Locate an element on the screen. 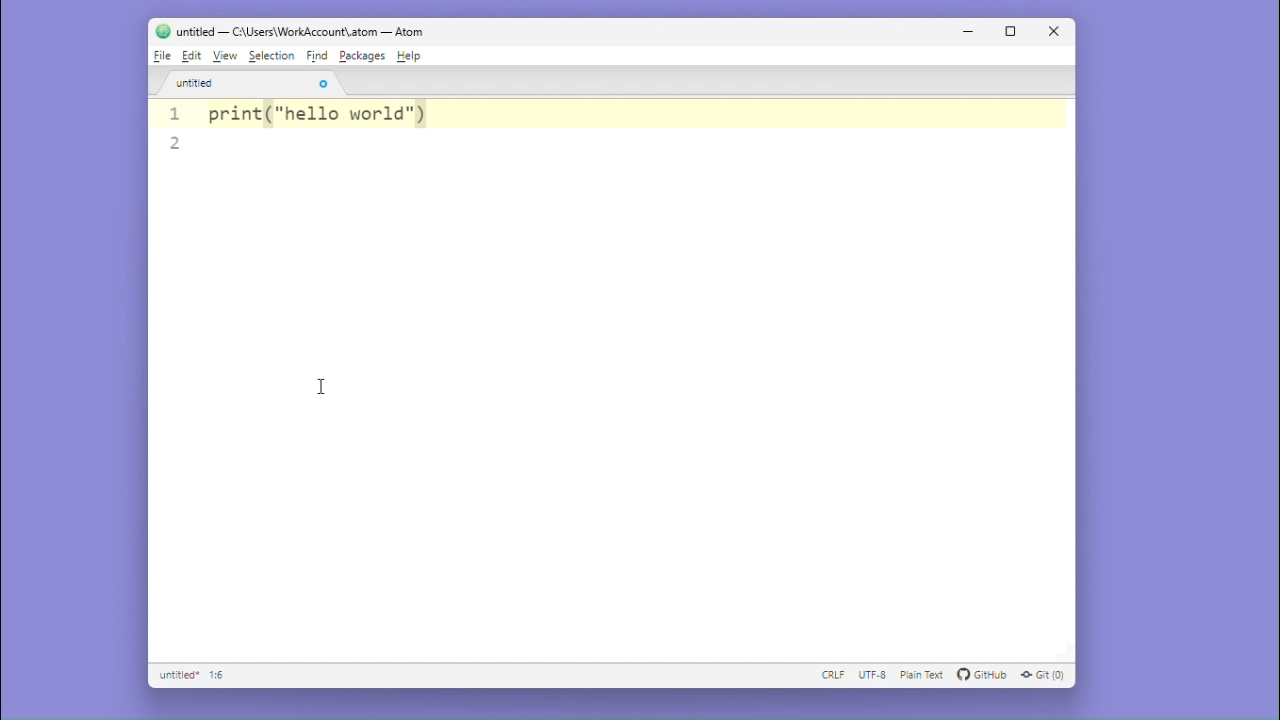  View is located at coordinates (227, 57).